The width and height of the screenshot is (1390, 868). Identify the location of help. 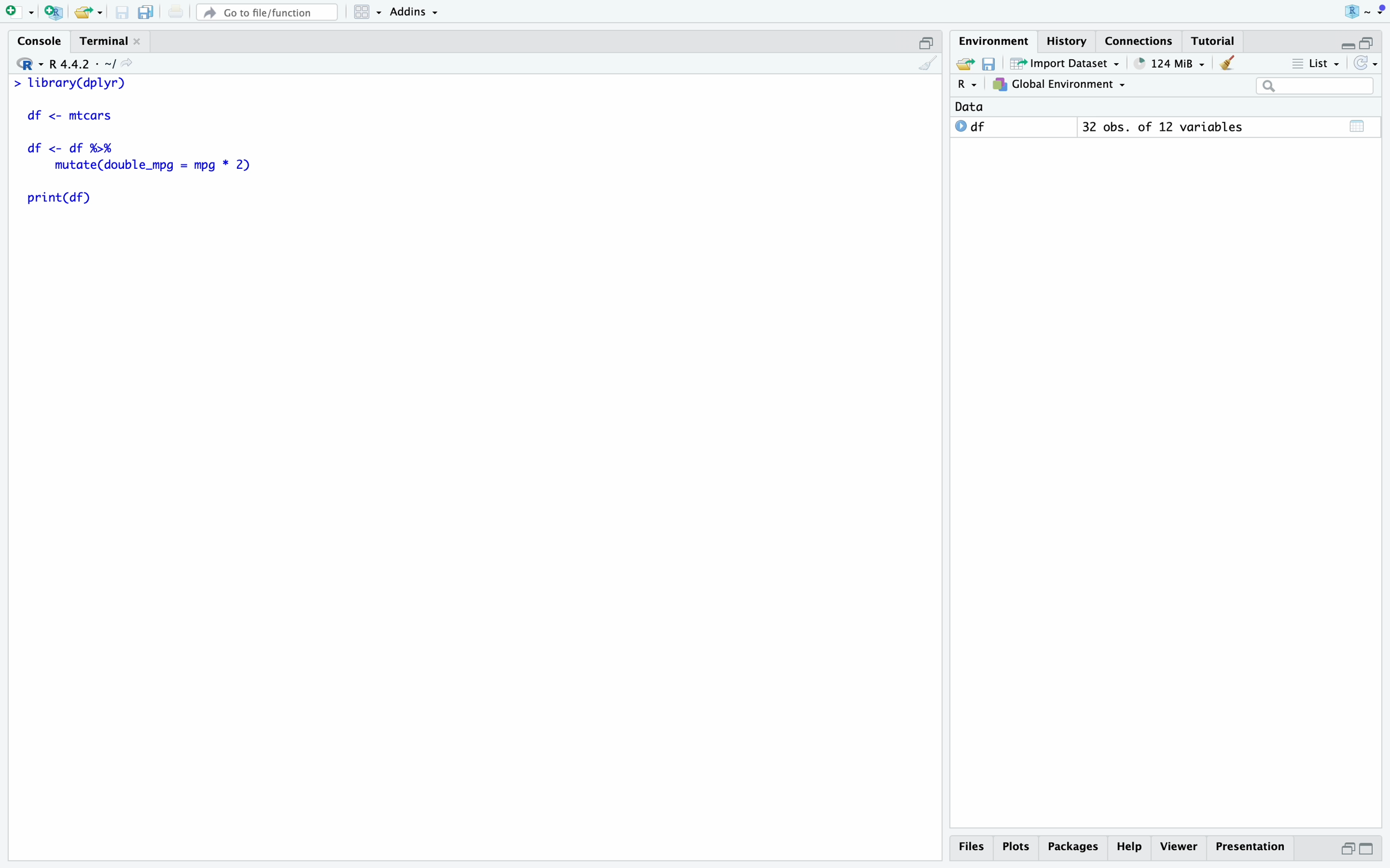
(1130, 847).